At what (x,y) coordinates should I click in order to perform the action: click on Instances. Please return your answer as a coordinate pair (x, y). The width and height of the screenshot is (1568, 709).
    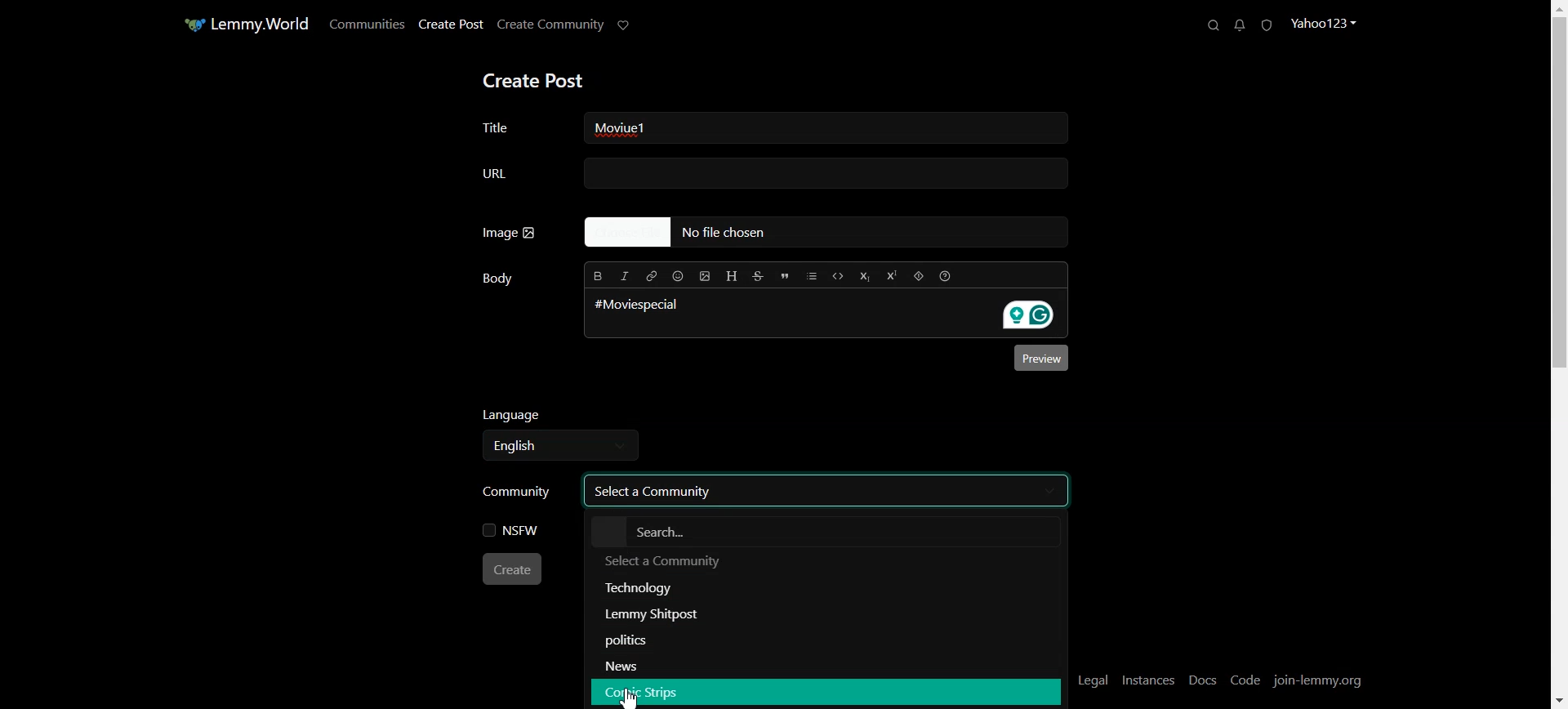
    Looking at the image, I should click on (1149, 680).